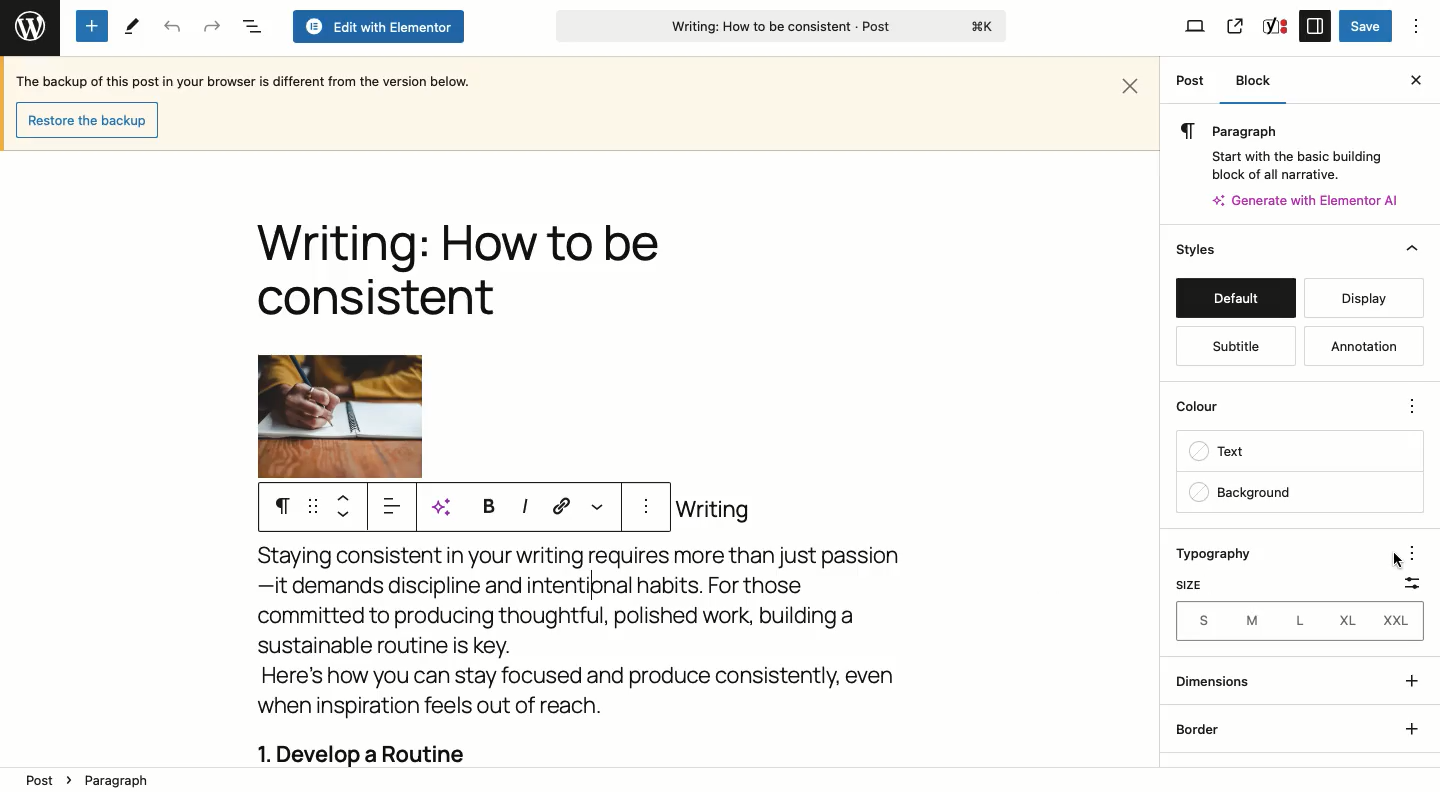 This screenshot has width=1440, height=792. I want to click on Tools, so click(130, 27).